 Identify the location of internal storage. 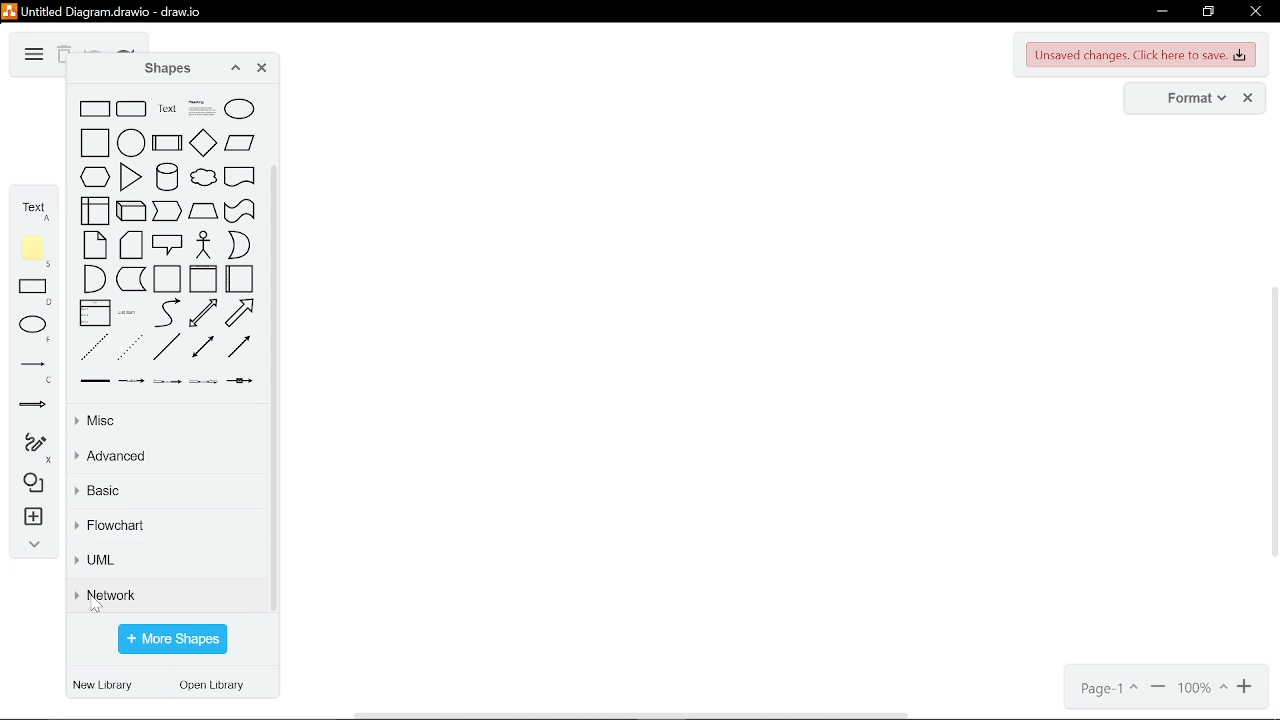
(95, 210).